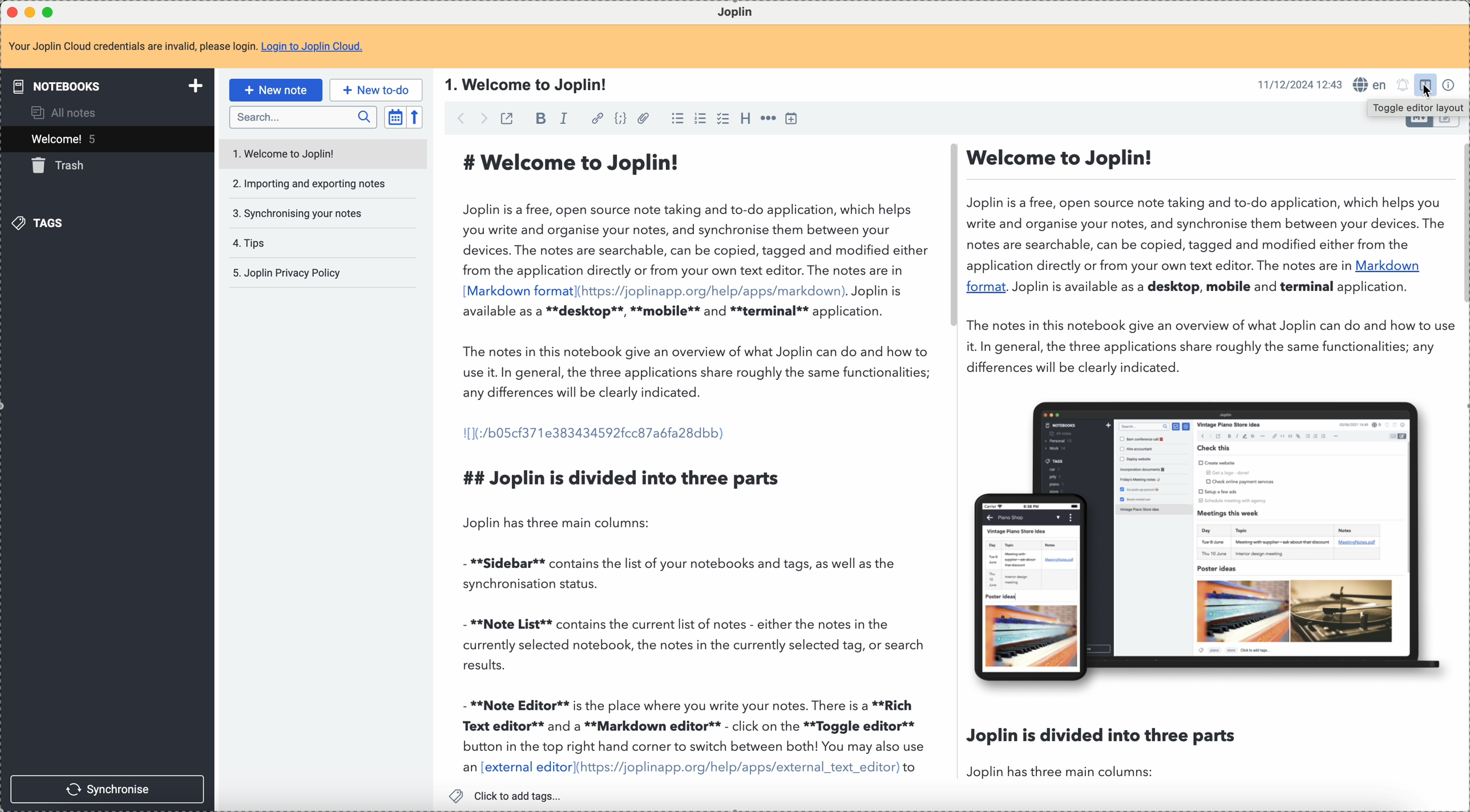  What do you see at coordinates (1206, 223) in the screenshot?
I see `Joplin is a free, open source note taking and to-do application, which helps you
write and organise your notes, and synchronise them between your devices. The
notes are searchable, can be copied, tagged and modified either from the` at bounding box center [1206, 223].